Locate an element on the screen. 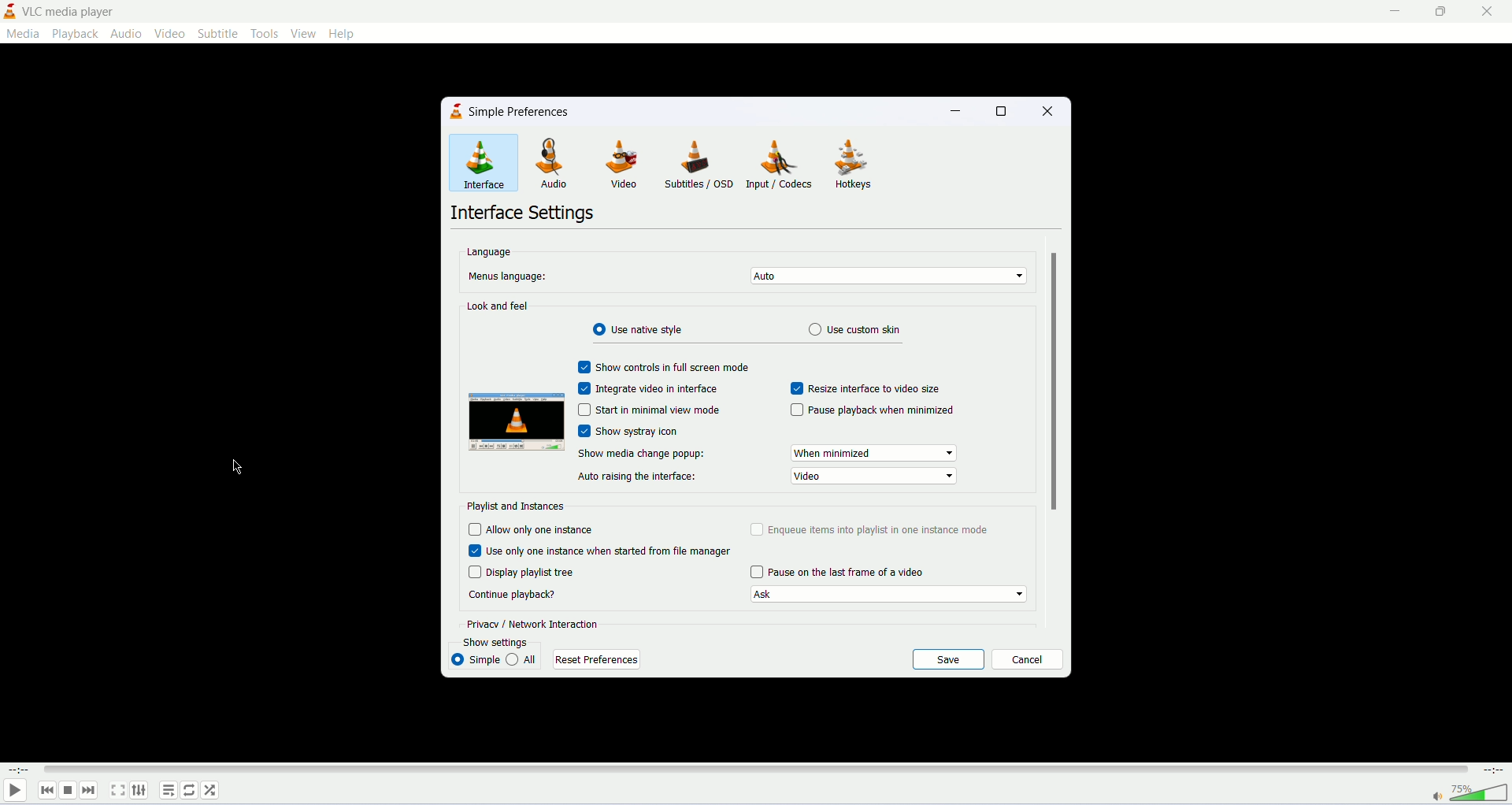  preview is located at coordinates (517, 422).